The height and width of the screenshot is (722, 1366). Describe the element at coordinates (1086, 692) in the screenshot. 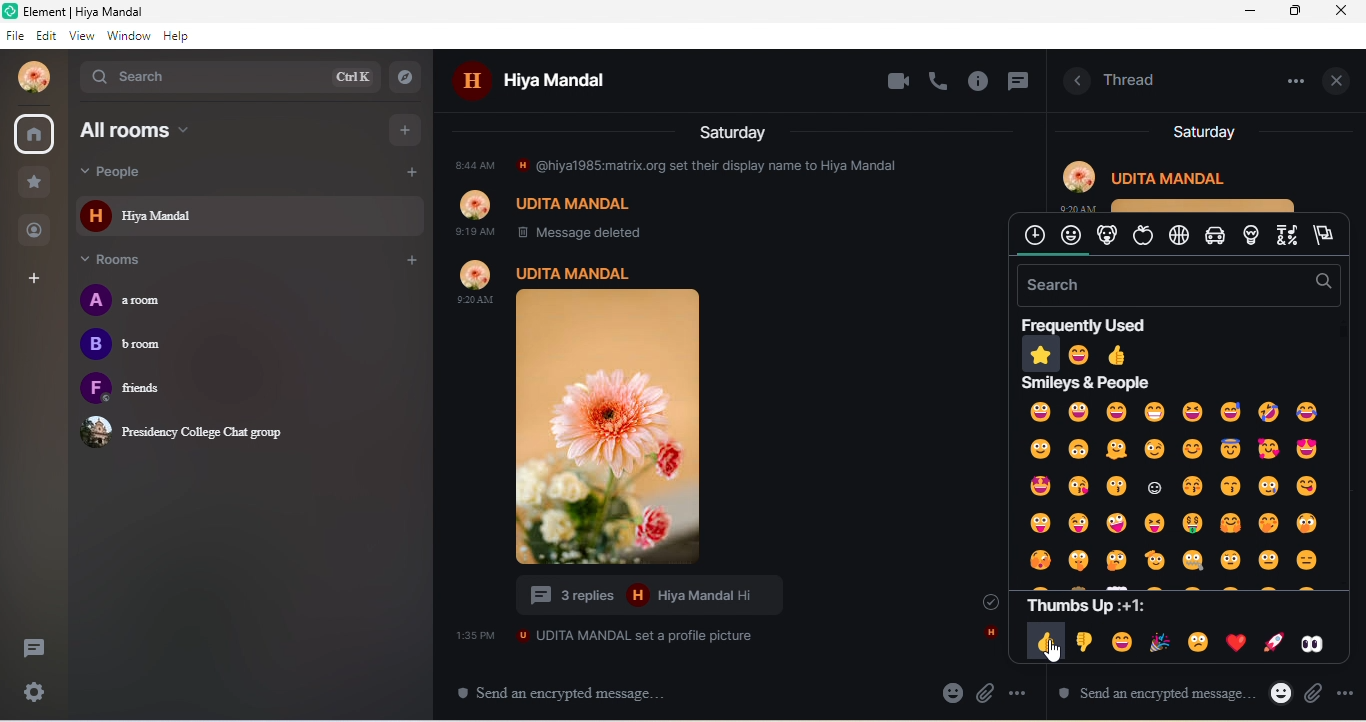

I see `emoji` at that location.